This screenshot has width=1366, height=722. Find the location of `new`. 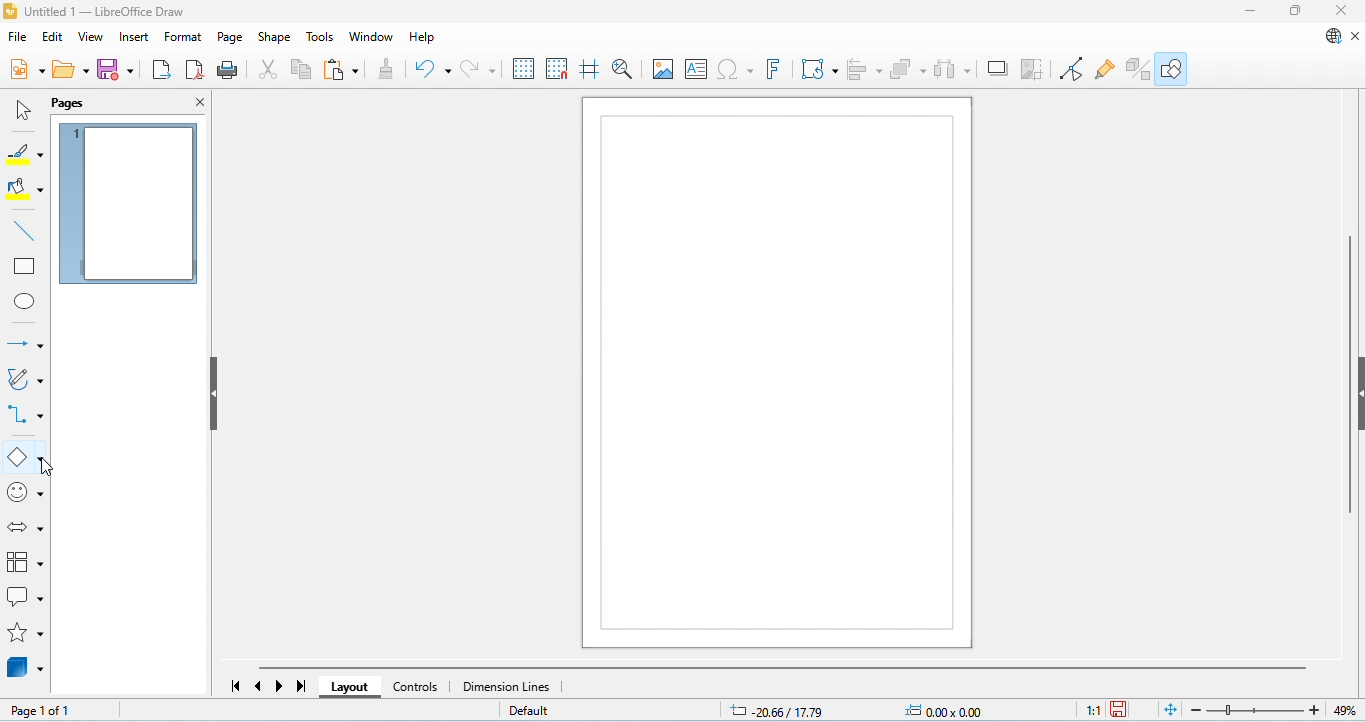

new is located at coordinates (26, 70).